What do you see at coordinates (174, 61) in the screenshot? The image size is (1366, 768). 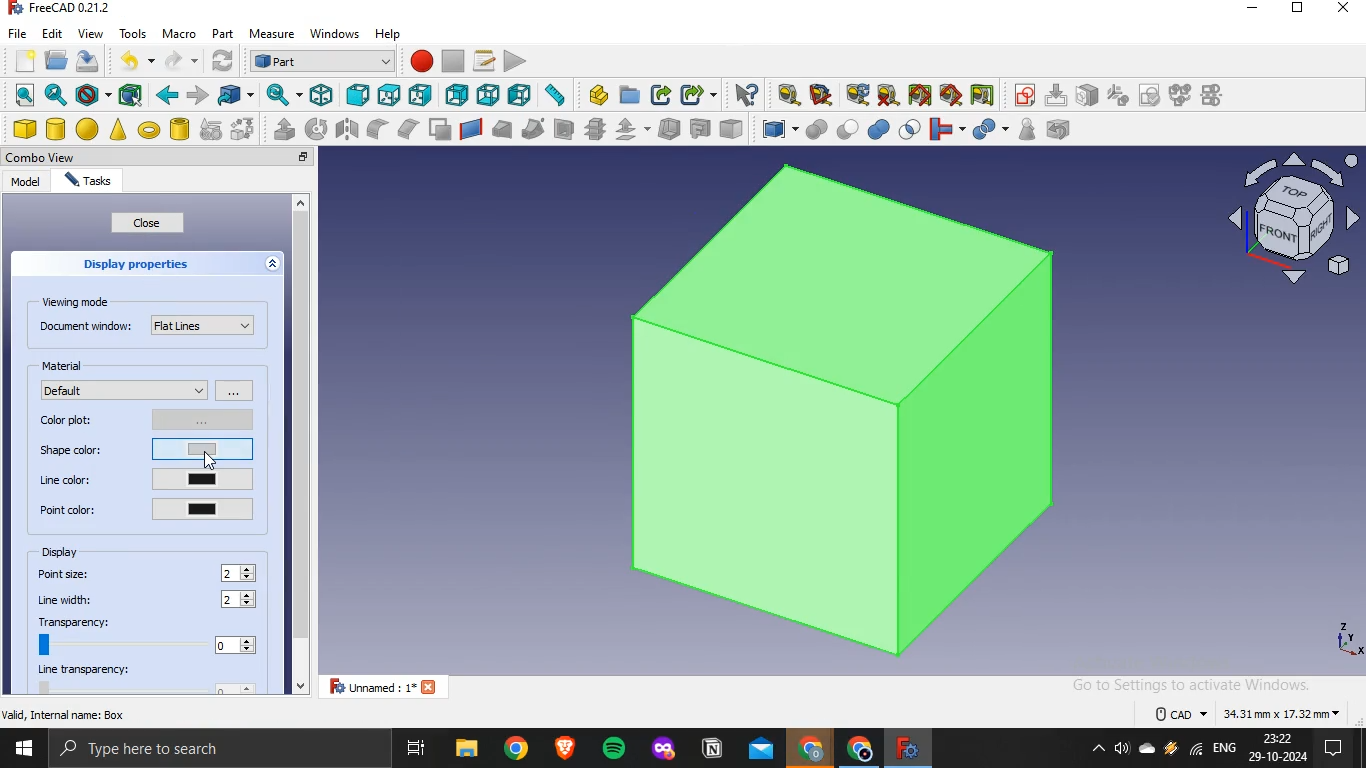 I see `redo` at bounding box center [174, 61].